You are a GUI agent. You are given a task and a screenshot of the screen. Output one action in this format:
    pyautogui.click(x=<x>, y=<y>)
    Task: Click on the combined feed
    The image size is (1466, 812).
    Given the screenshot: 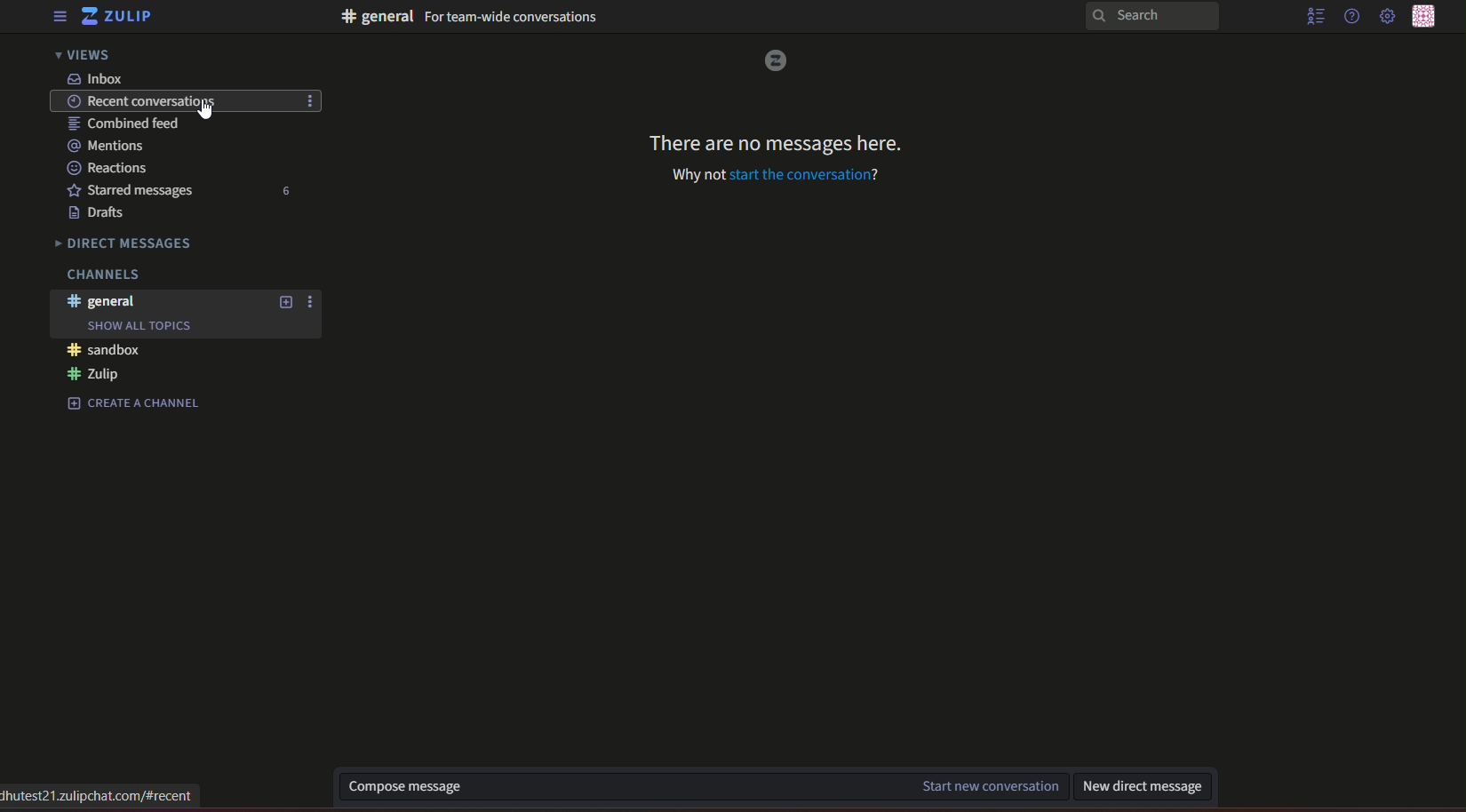 What is the action you would take?
    pyautogui.click(x=123, y=123)
    